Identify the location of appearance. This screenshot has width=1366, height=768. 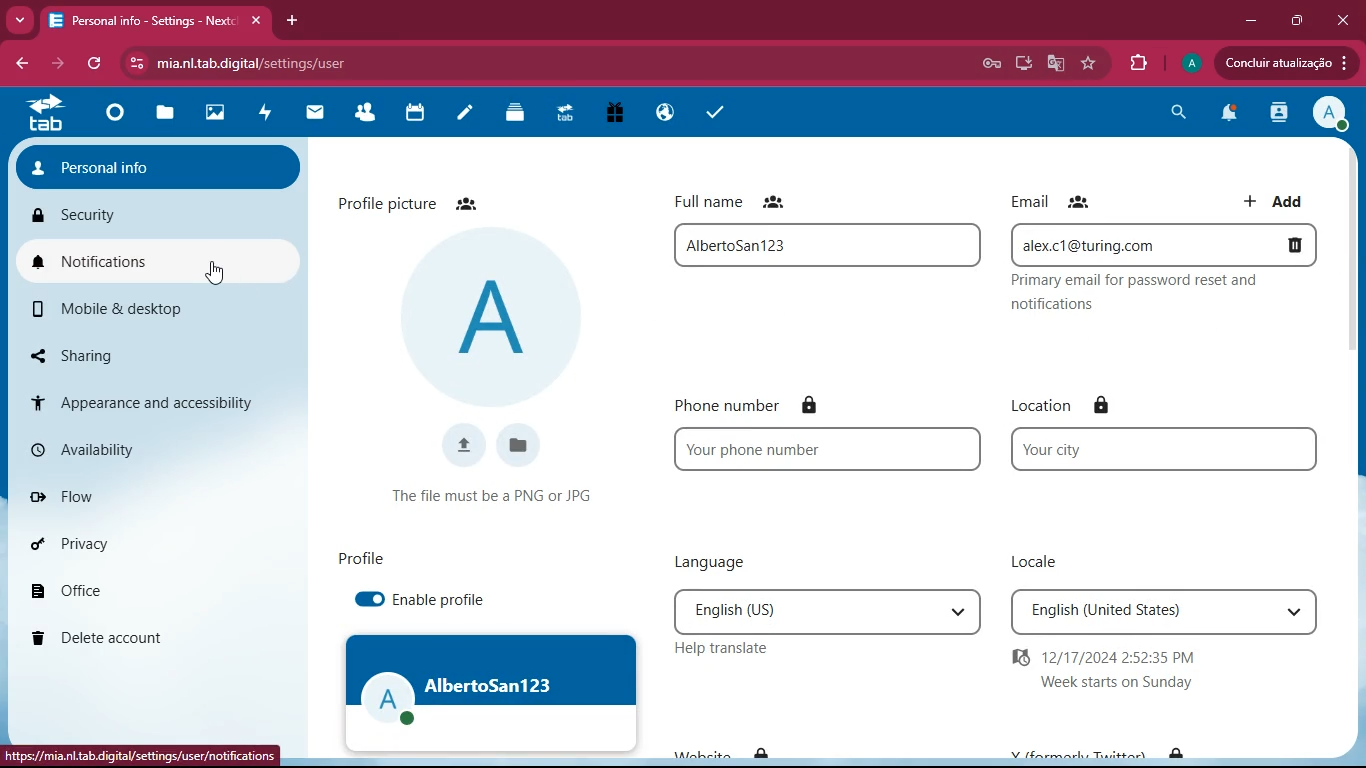
(142, 397).